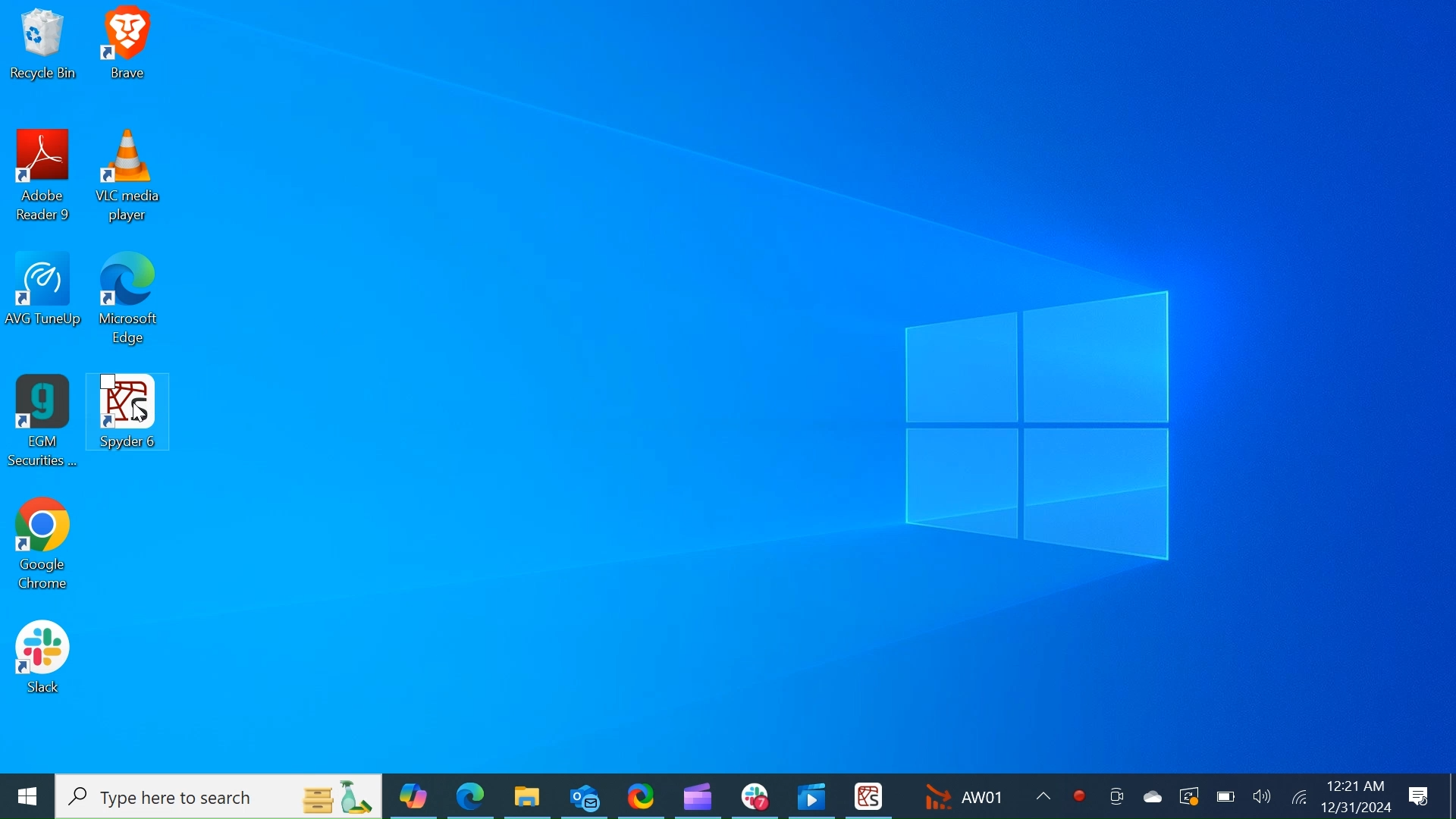 The height and width of the screenshot is (819, 1456). What do you see at coordinates (812, 795) in the screenshot?
I see `Photo Desktop Icon` at bounding box center [812, 795].